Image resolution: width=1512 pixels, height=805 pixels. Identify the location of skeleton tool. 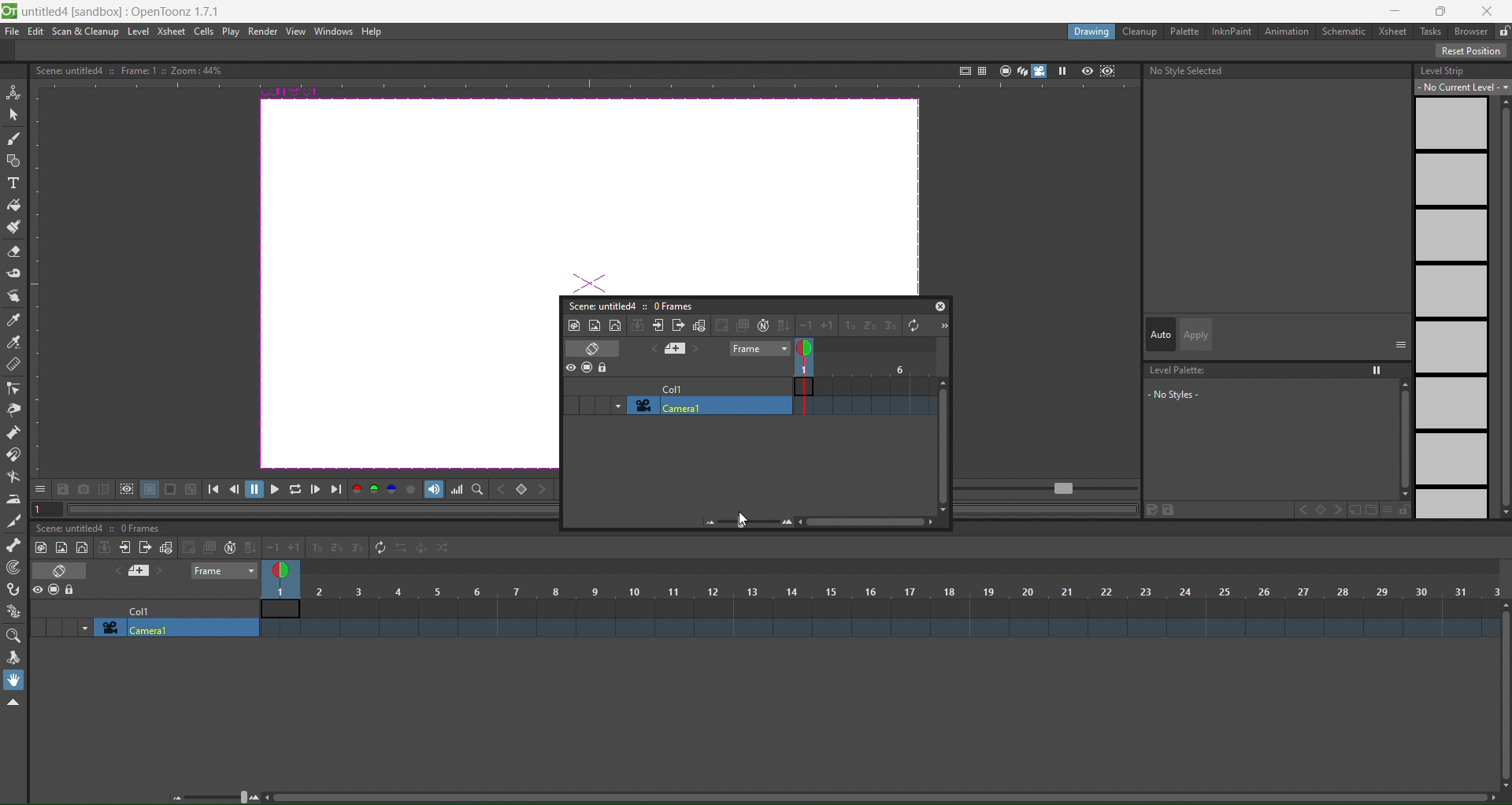
(14, 544).